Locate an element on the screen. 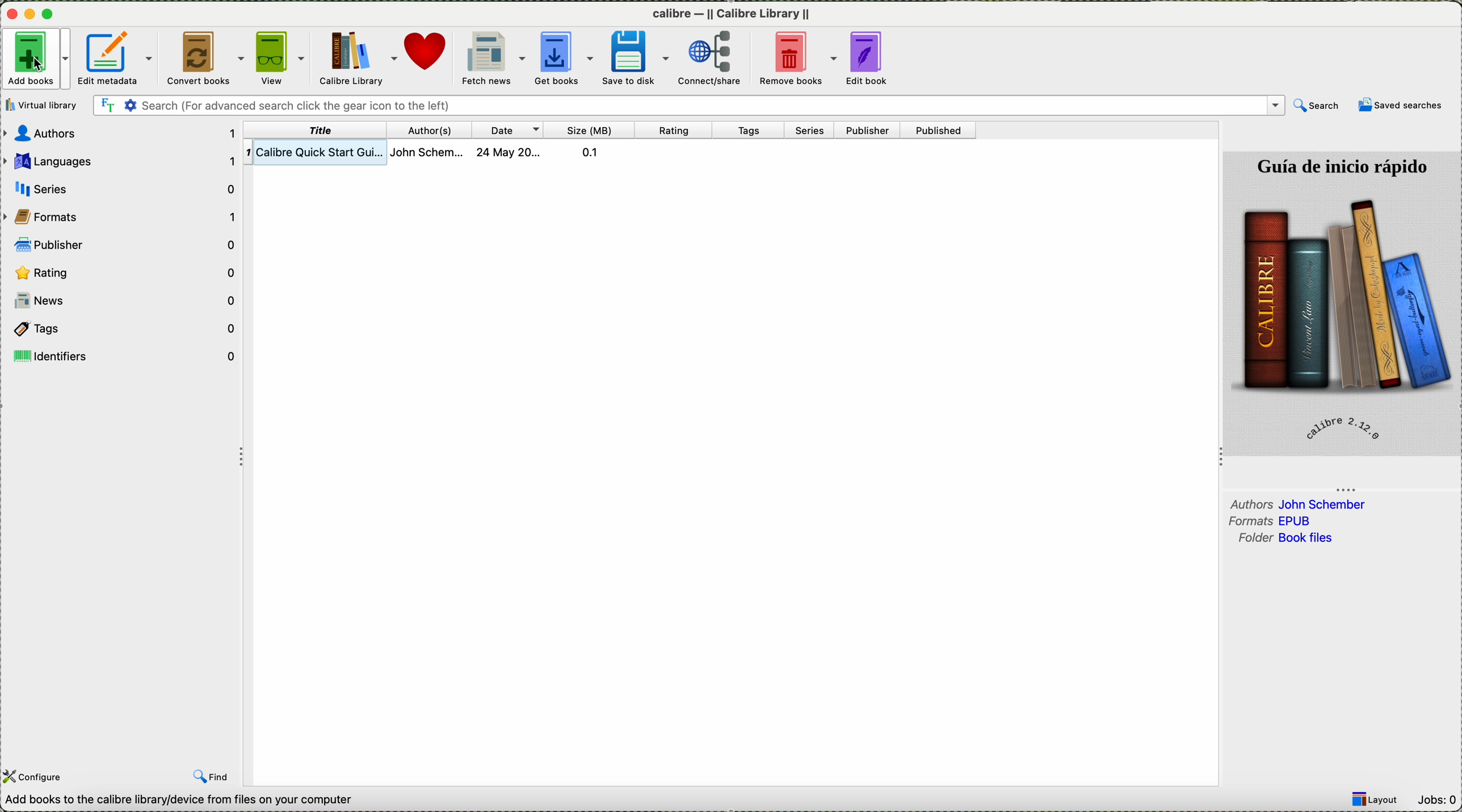 The width and height of the screenshot is (1462, 812). series is located at coordinates (812, 131).